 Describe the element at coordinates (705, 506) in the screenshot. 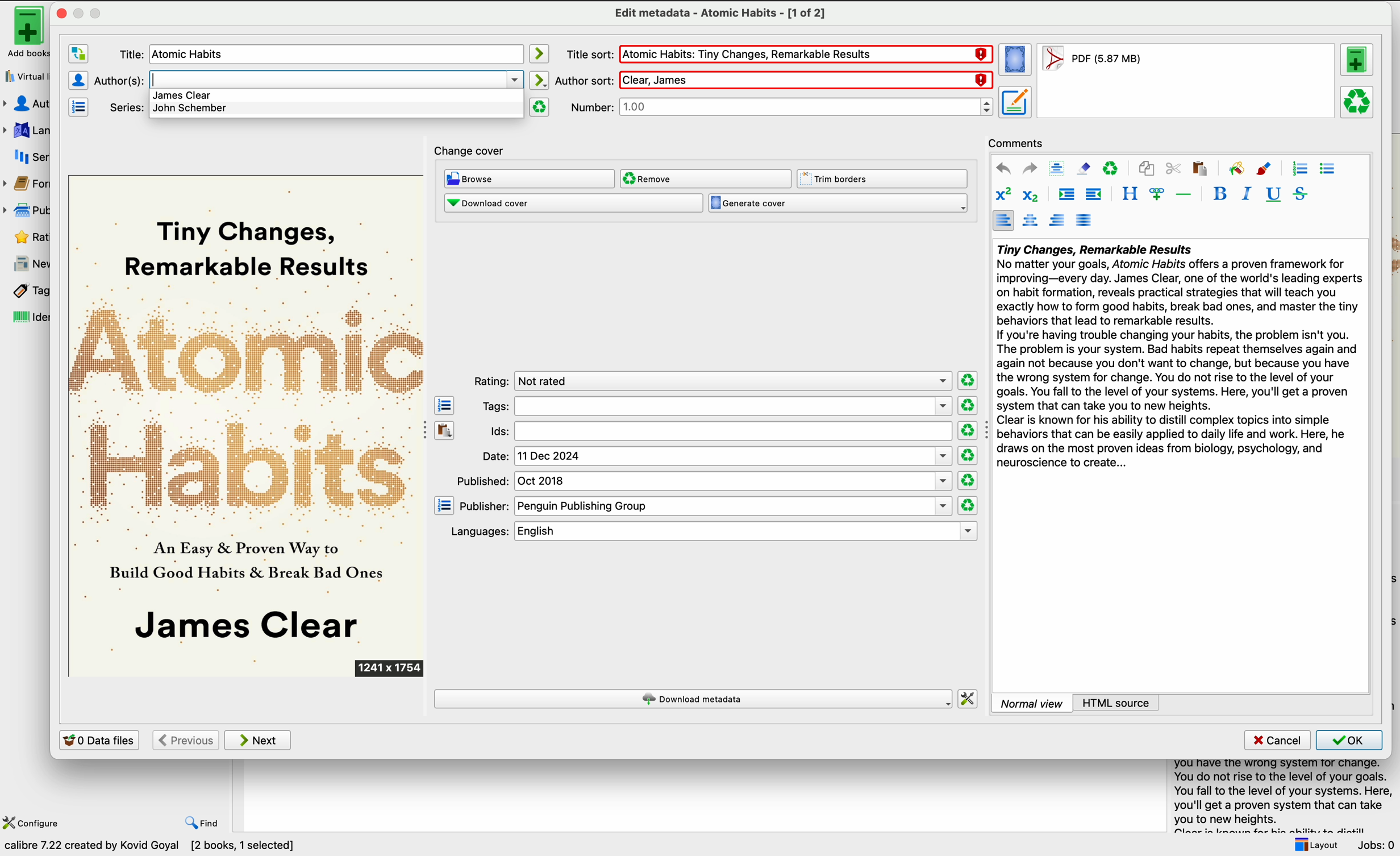

I see `publisher` at that location.